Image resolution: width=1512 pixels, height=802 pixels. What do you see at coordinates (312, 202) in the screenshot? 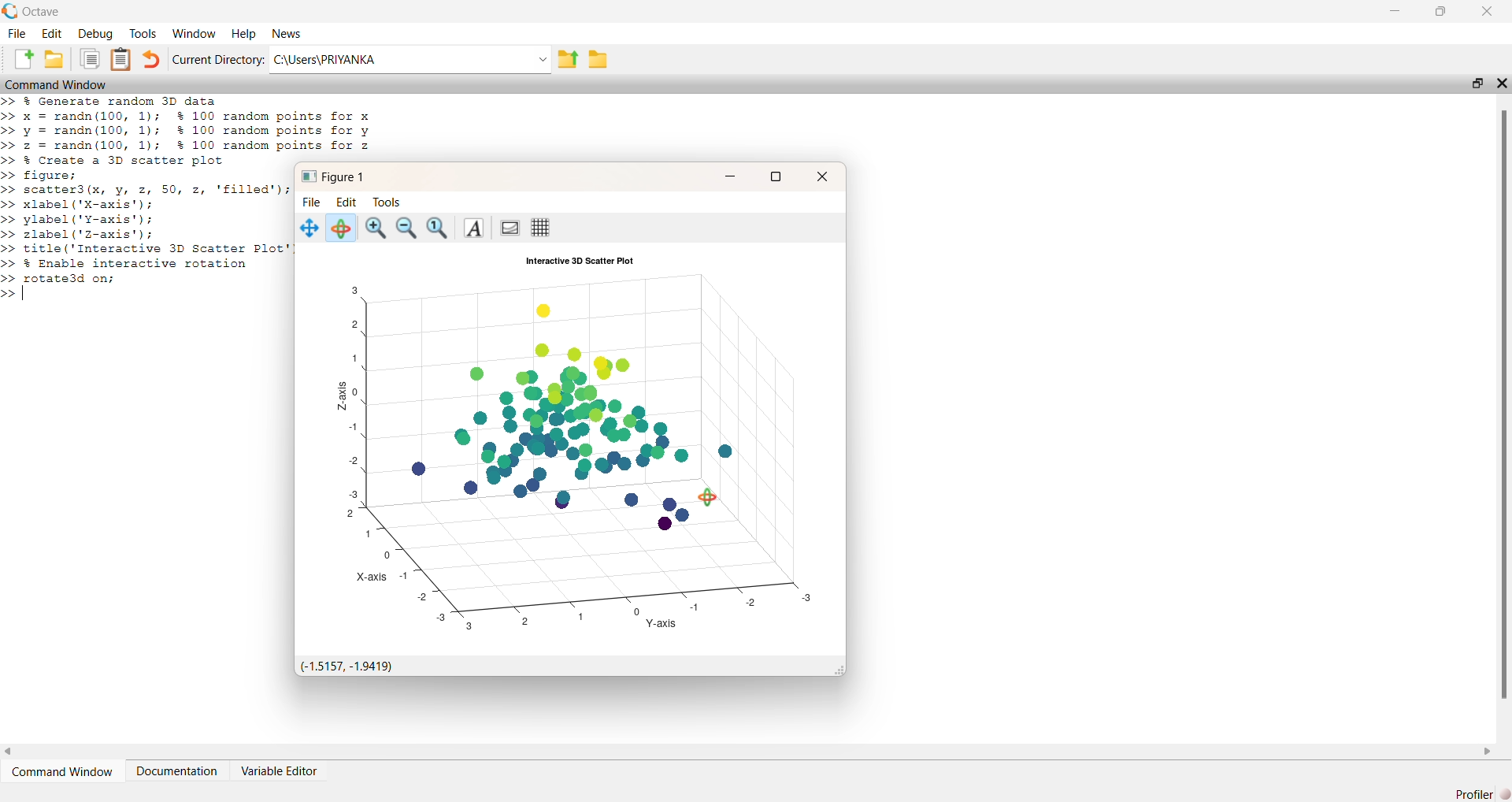
I see `File` at bounding box center [312, 202].